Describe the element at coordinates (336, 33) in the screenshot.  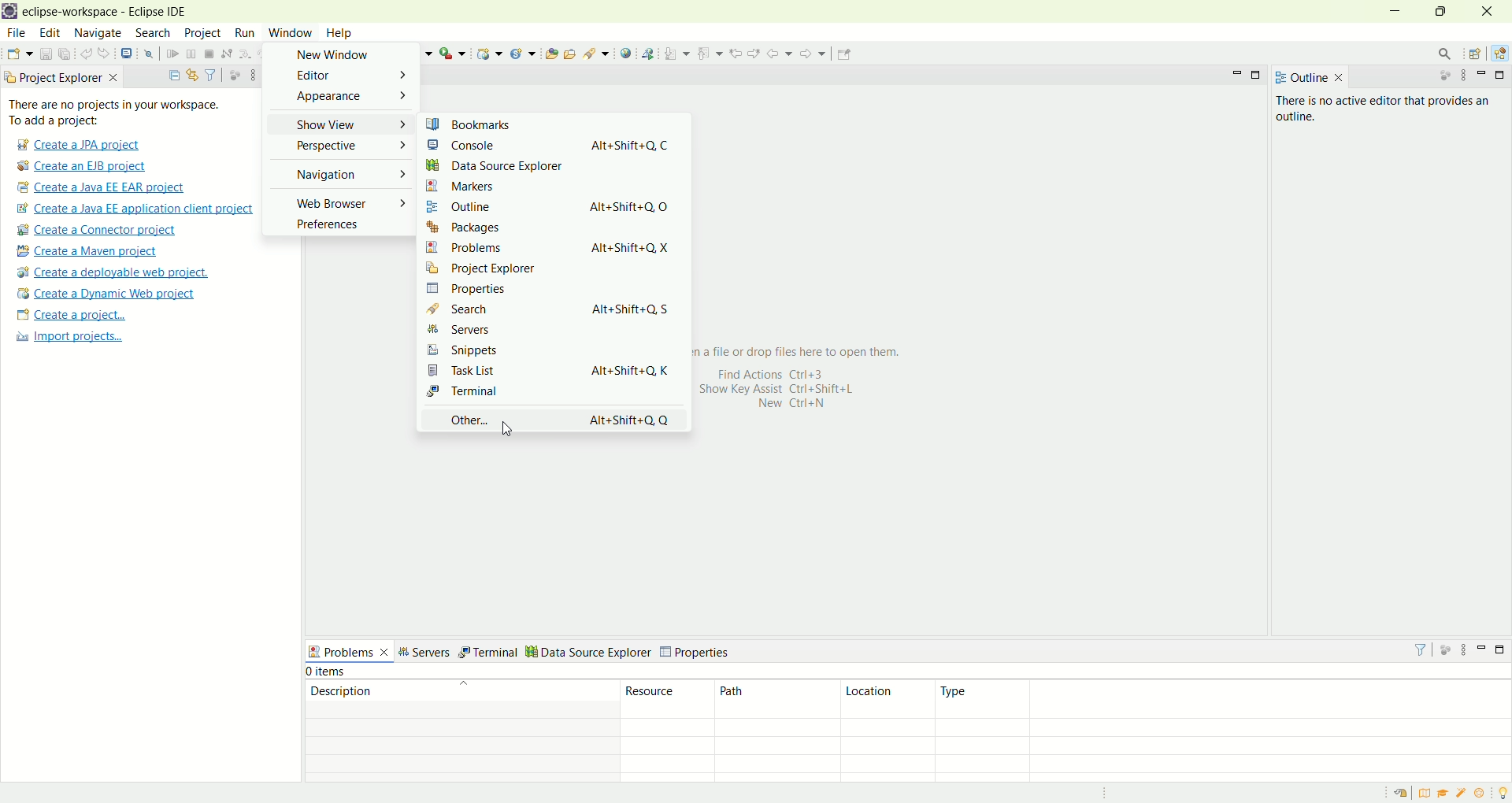
I see `help` at that location.